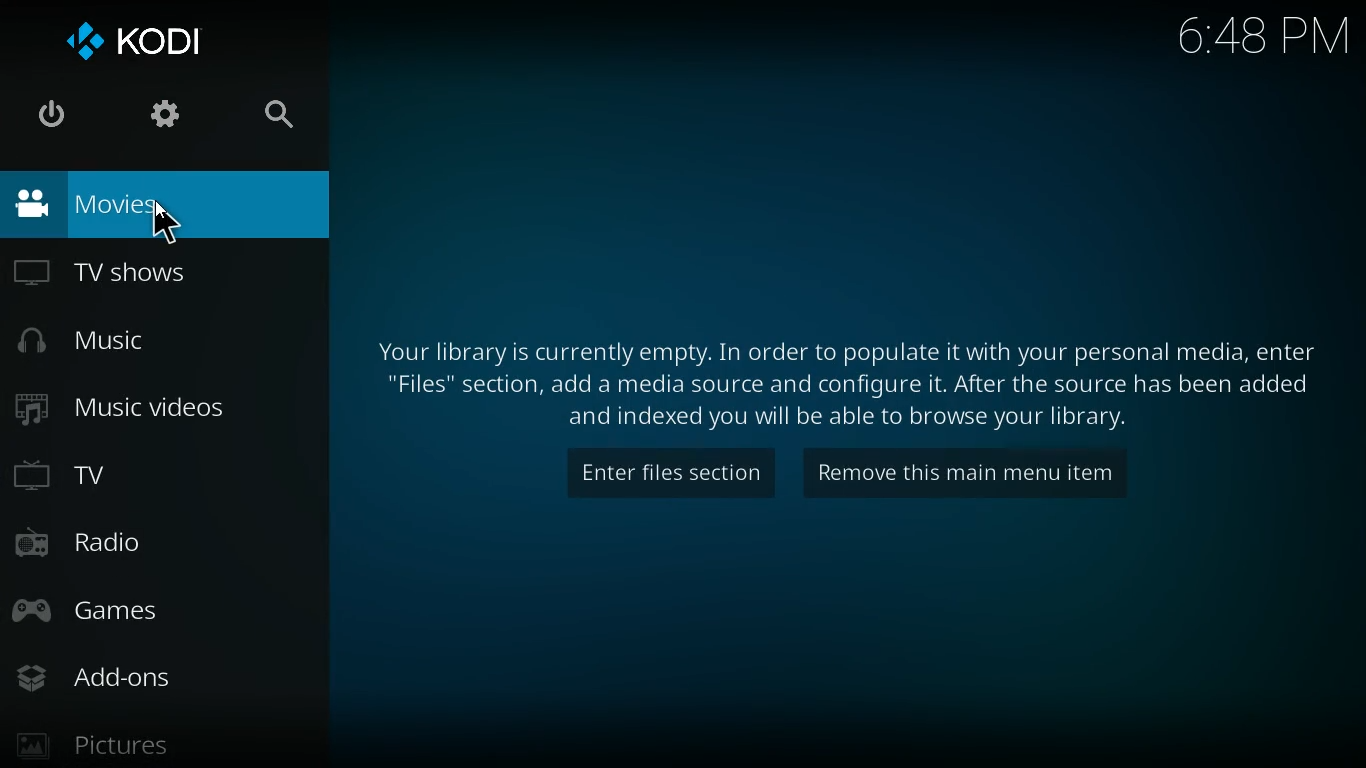 The image size is (1366, 768). Describe the element at coordinates (157, 547) in the screenshot. I see `radio` at that location.